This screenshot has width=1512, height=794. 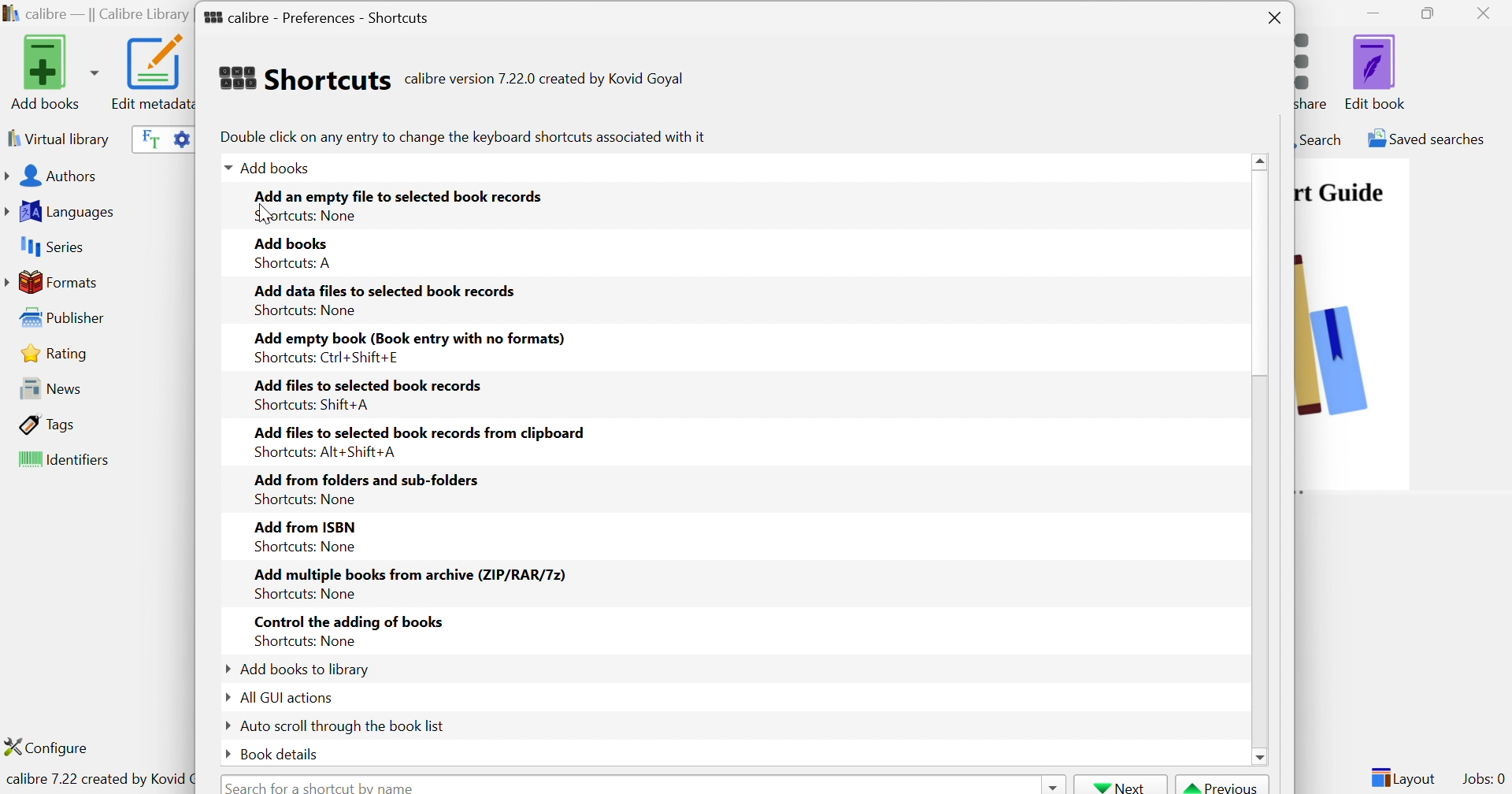 I want to click on Authors, so click(x=54, y=177).